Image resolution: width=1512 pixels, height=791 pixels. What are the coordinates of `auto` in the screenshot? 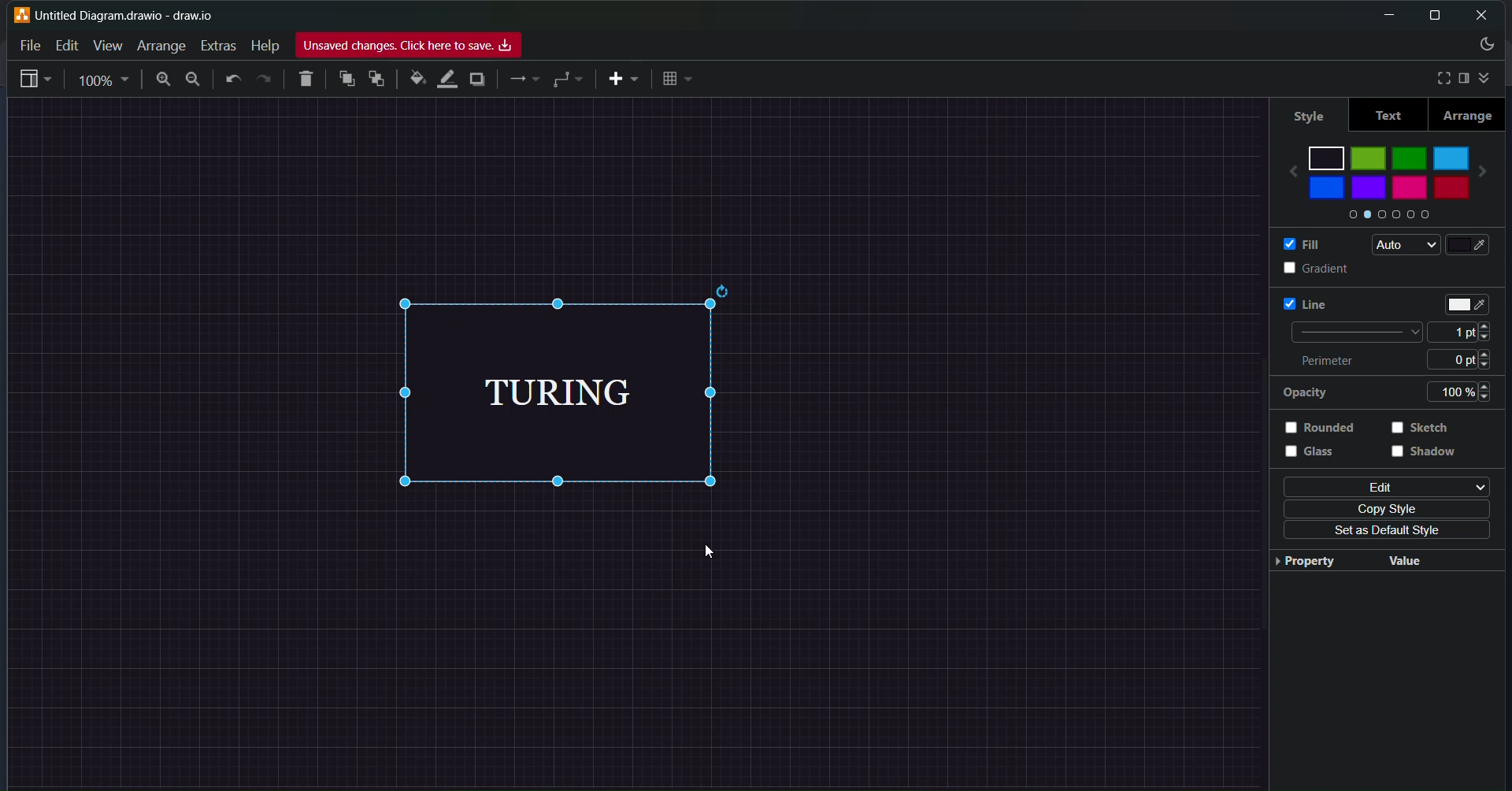 It's located at (1401, 245).